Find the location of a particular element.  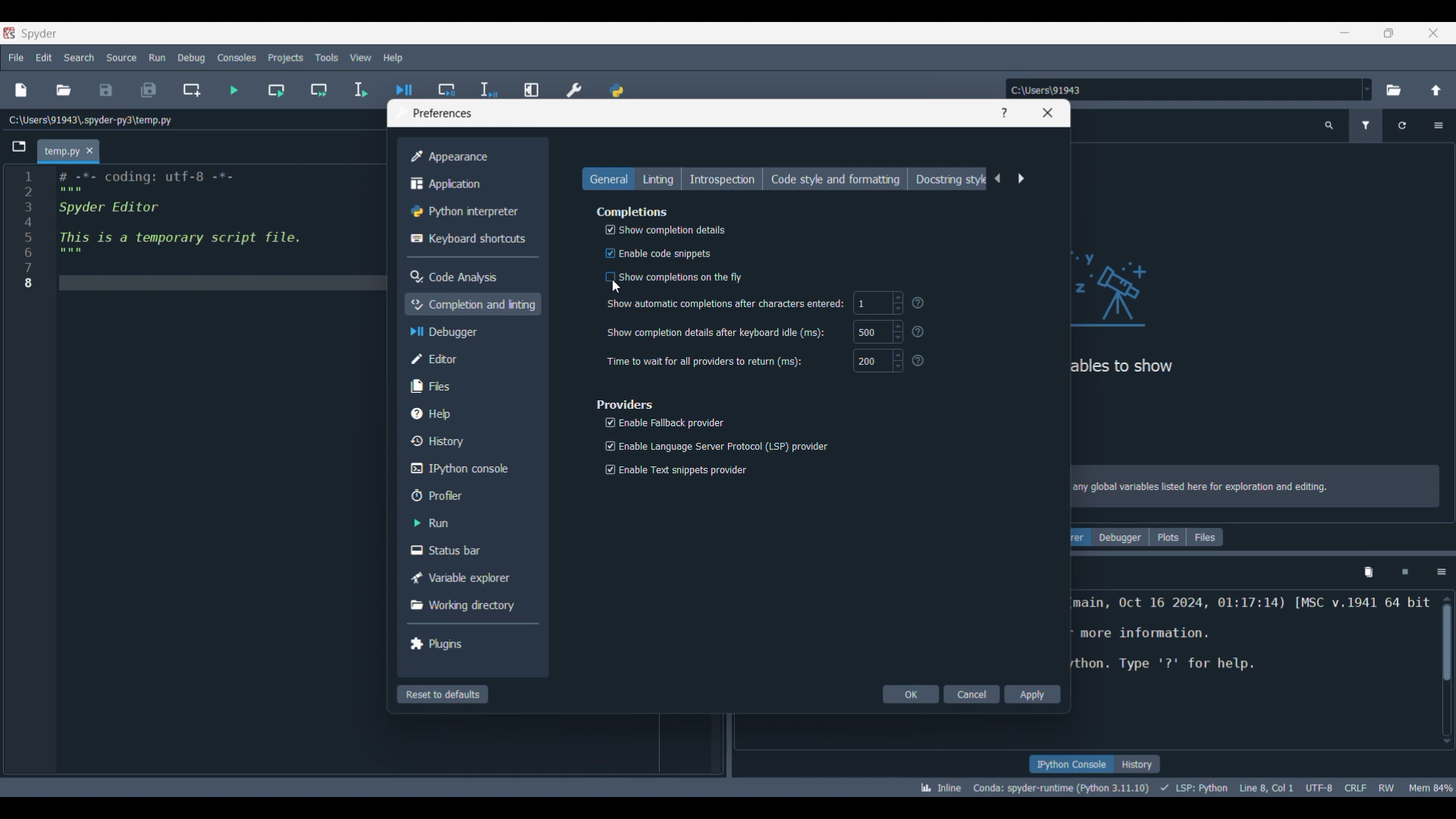

Previous is located at coordinates (998, 178).